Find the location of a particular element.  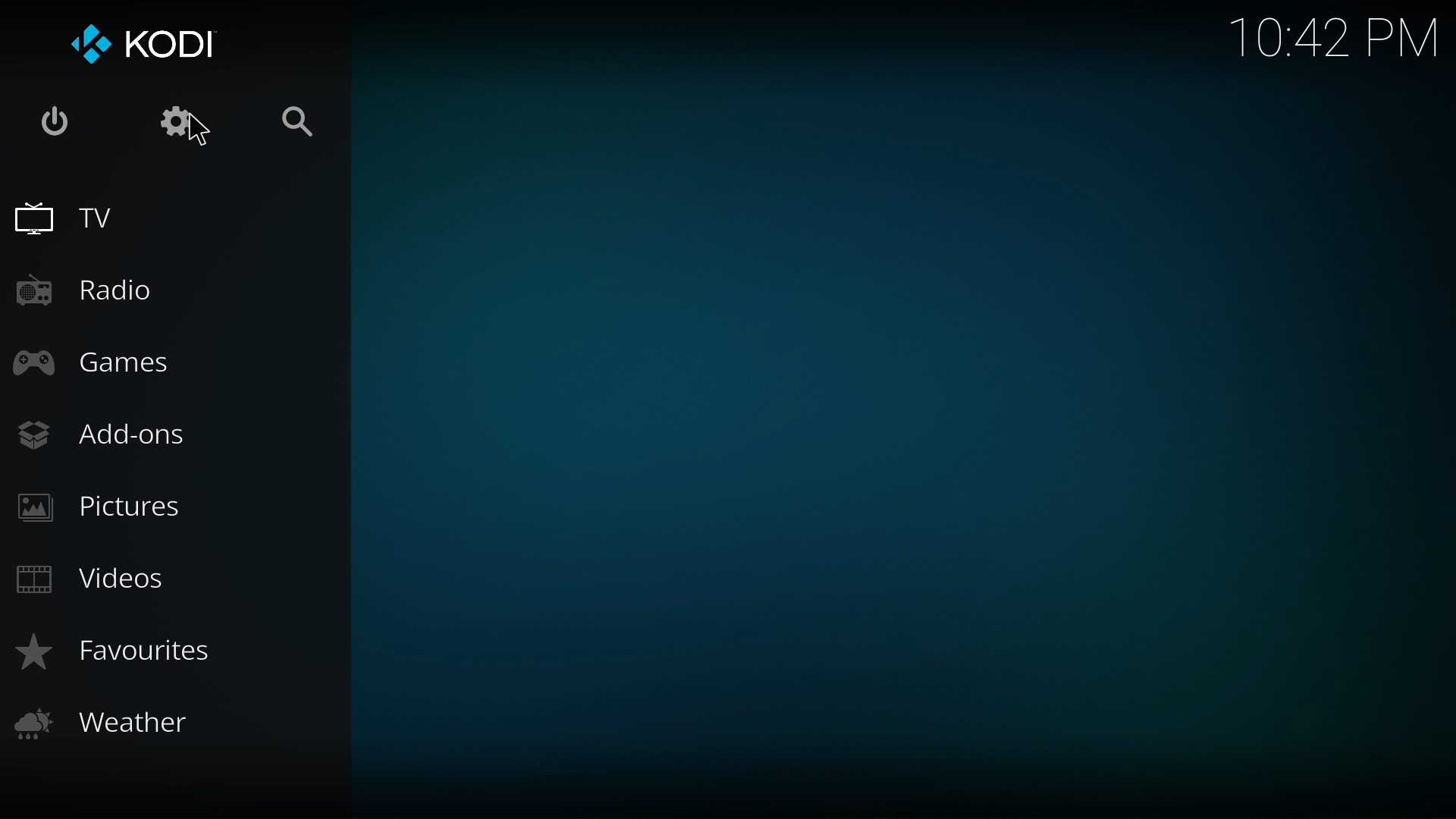

favorites is located at coordinates (117, 652).